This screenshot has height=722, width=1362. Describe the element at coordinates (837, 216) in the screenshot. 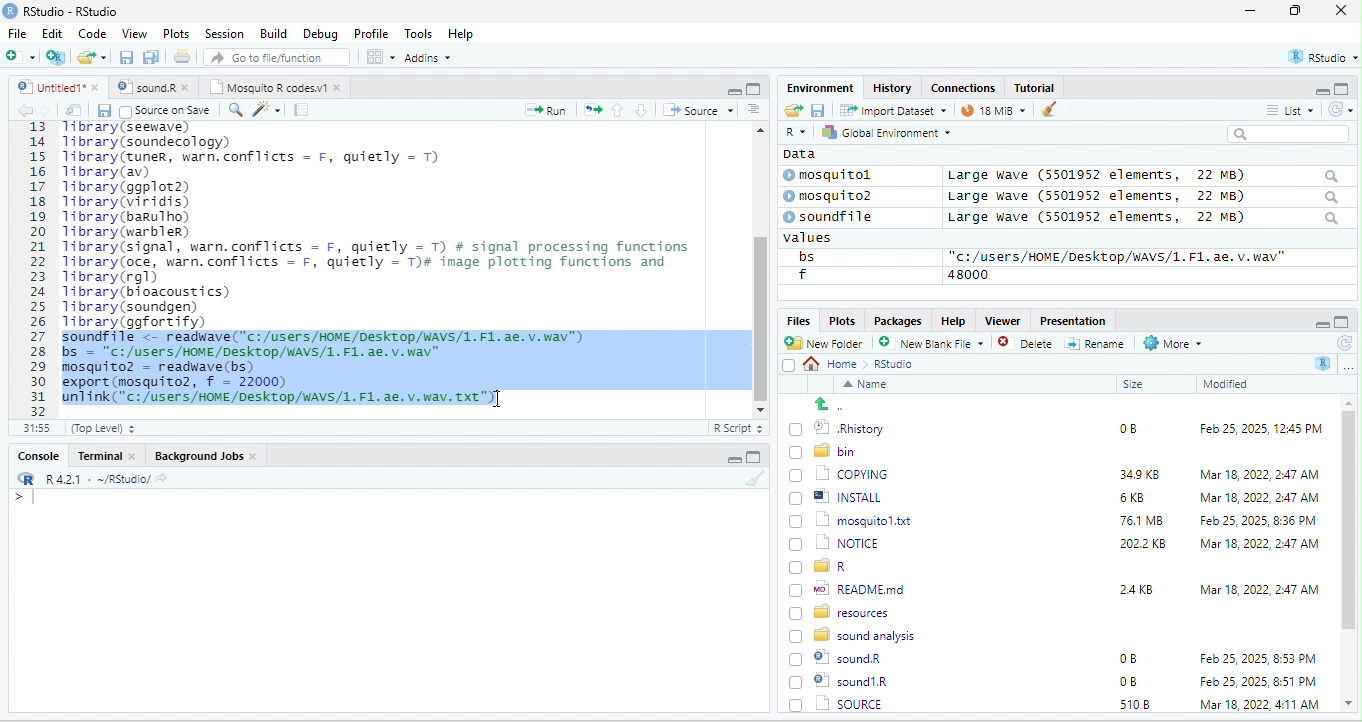

I see `© soundfile` at that location.